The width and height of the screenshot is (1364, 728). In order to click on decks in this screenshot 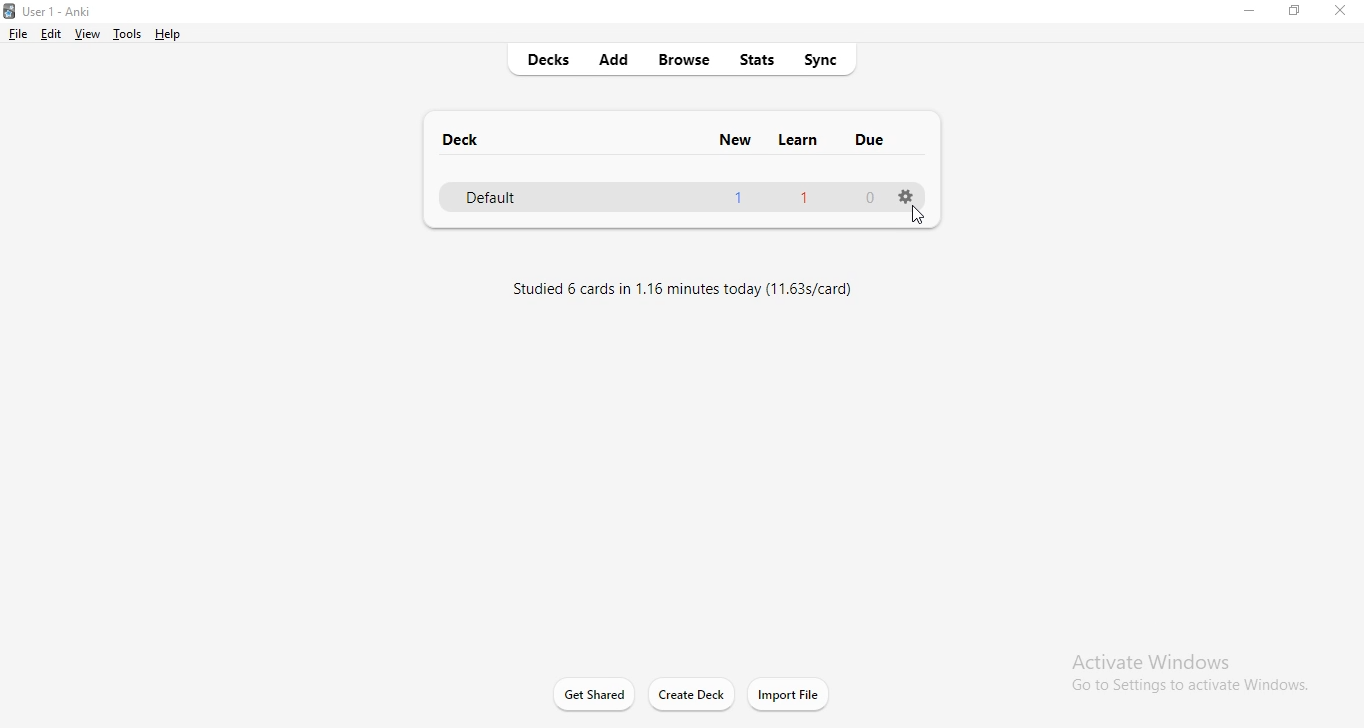, I will do `click(539, 59)`.